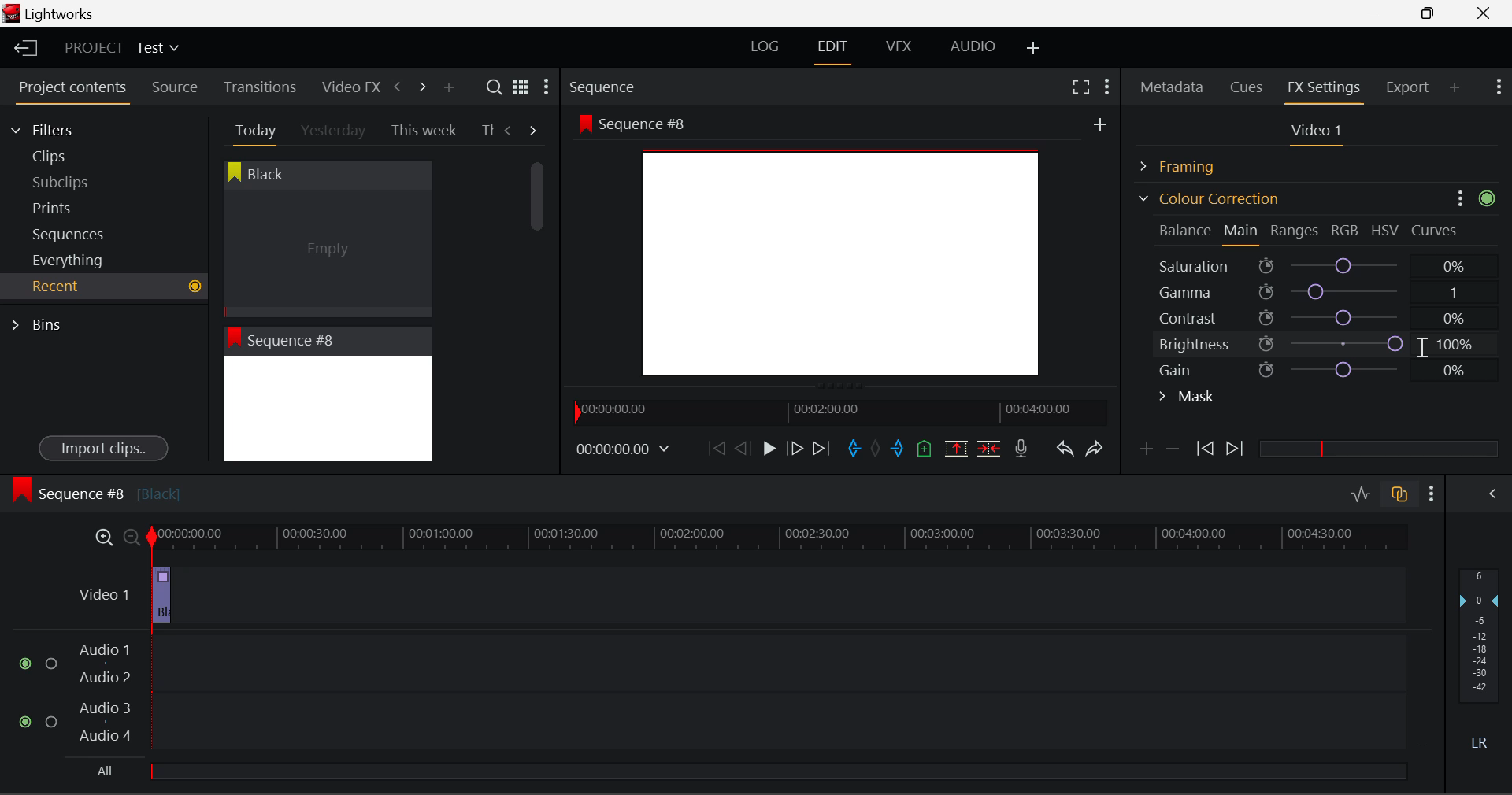 Image resolution: width=1512 pixels, height=795 pixels. What do you see at coordinates (1173, 84) in the screenshot?
I see `Metadata Panel` at bounding box center [1173, 84].